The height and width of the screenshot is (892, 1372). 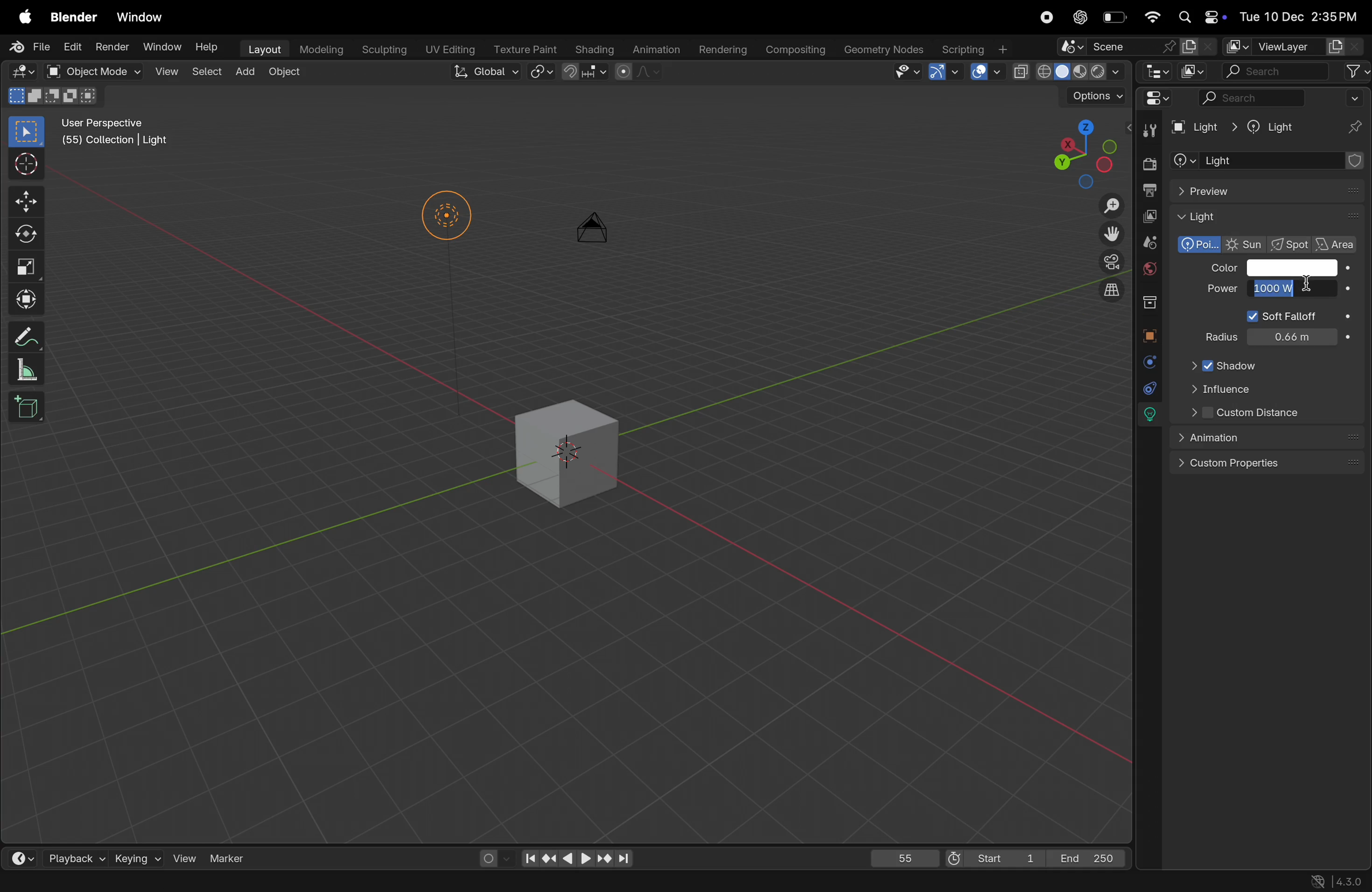 What do you see at coordinates (1299, 290) in the screenshot?
I see `10000` at bounding box center [1299, 290].